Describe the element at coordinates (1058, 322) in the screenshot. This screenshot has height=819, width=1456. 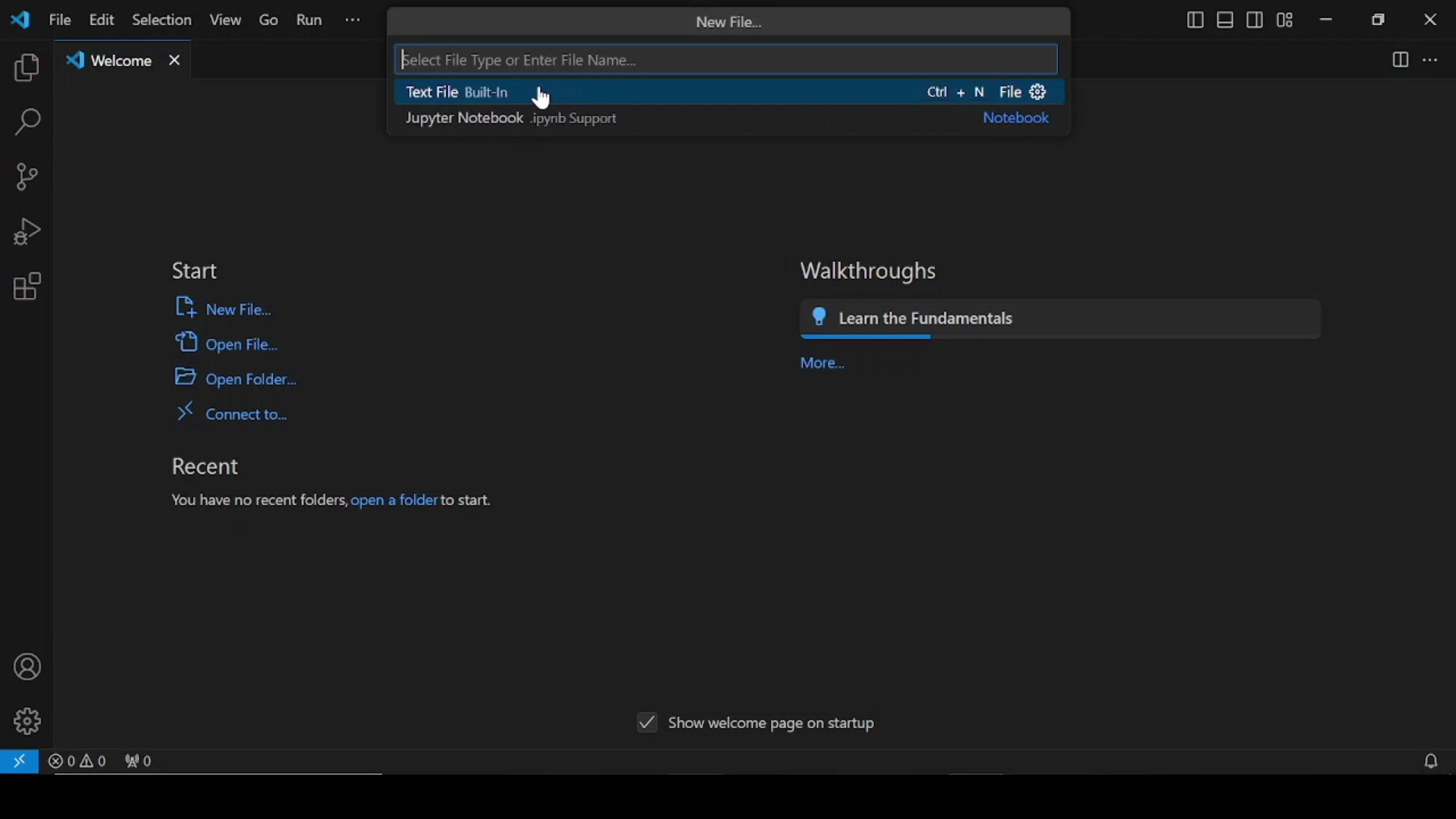
I see `learn the fundamentals` at that location.